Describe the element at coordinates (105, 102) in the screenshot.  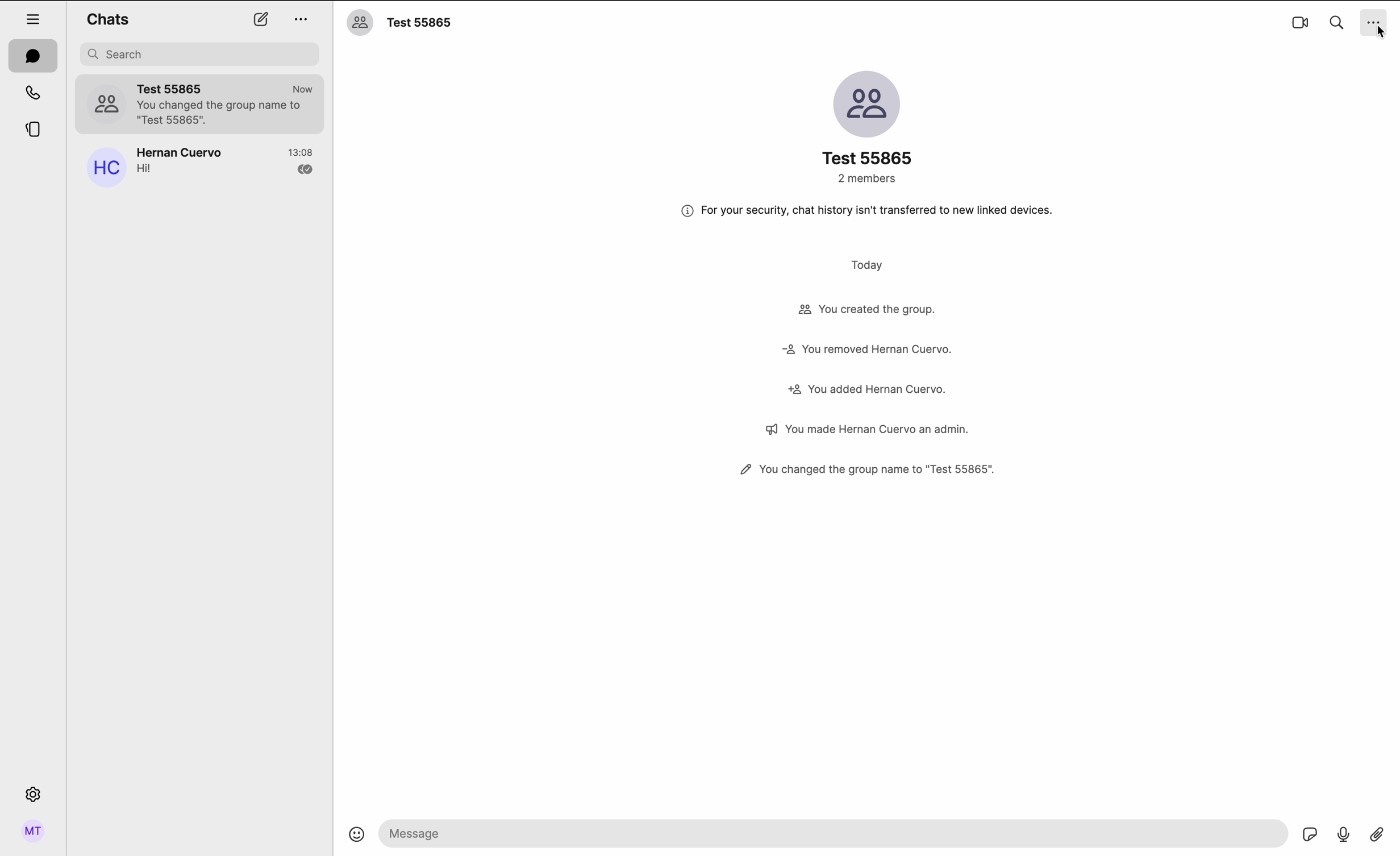
I see `profile picture` at that location.